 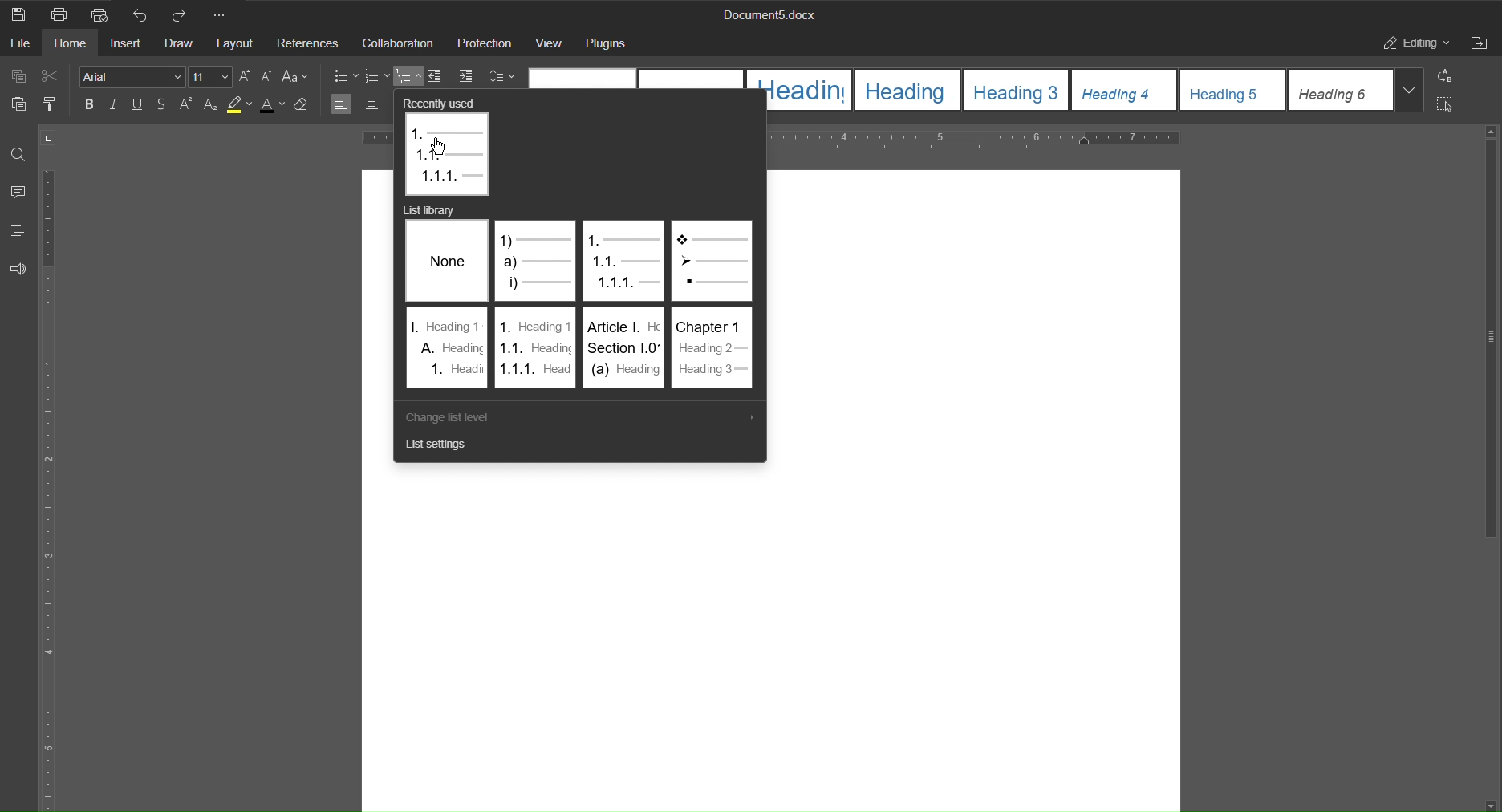 I want to click on Lowercase, so click(x=268, y=76).